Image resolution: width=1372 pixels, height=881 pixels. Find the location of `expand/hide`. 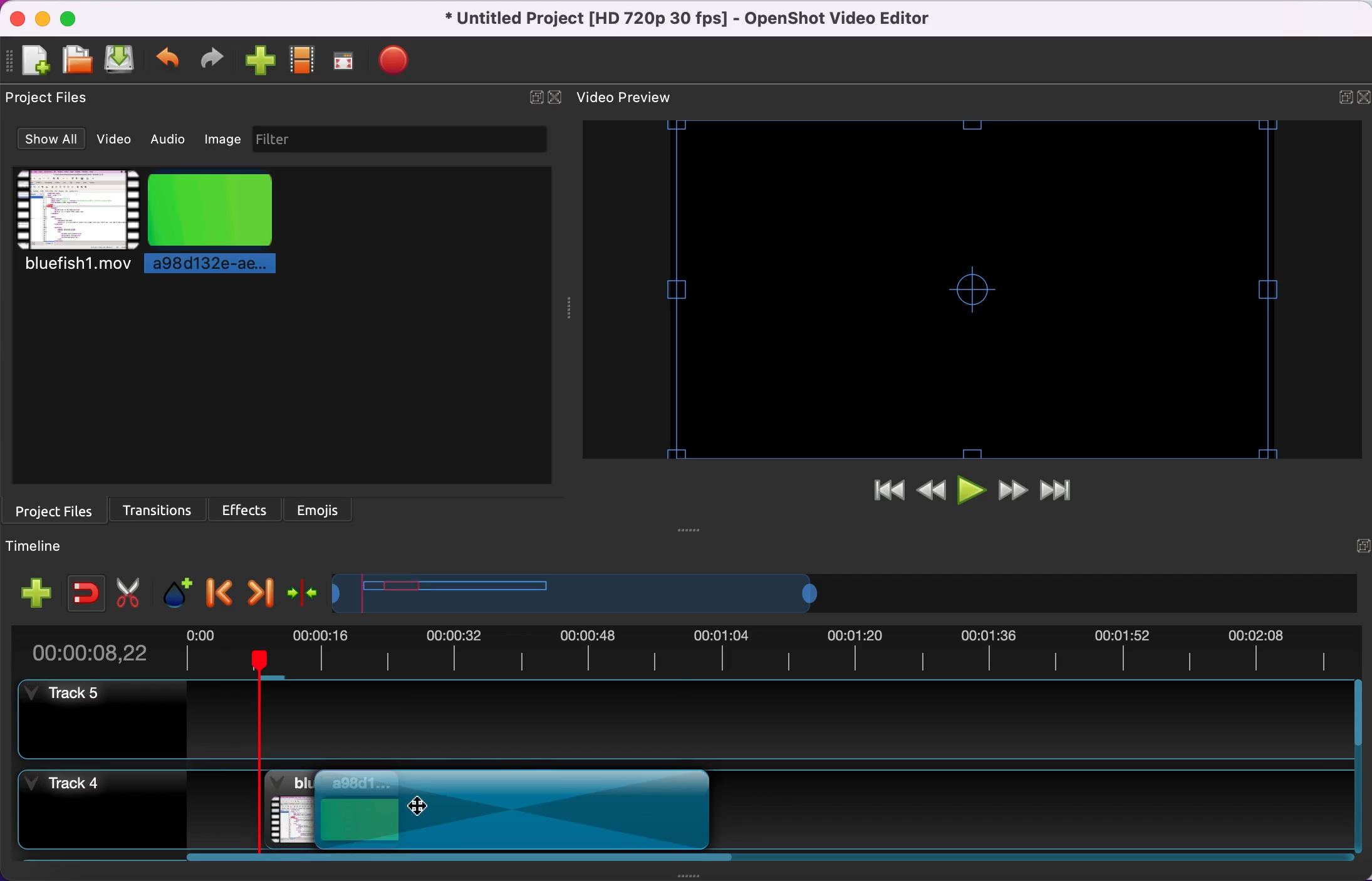

expand/hide is located at coordinates (533, 98).